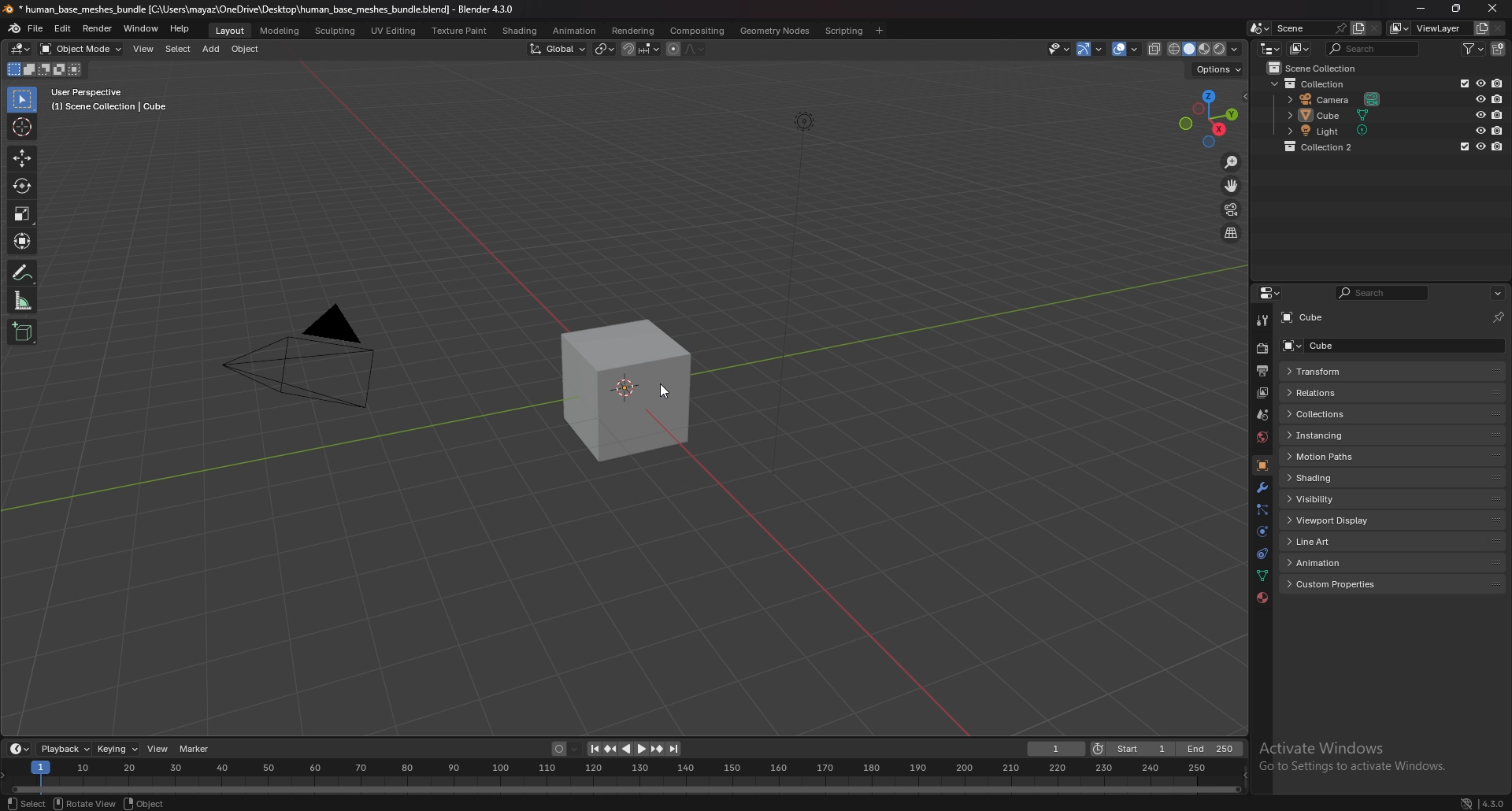 This screenshot has height=811, width=1512. What do you see at coordinates (1474, 49) in the screenshot?
I see `filter` at bounding box center [1474, 49].